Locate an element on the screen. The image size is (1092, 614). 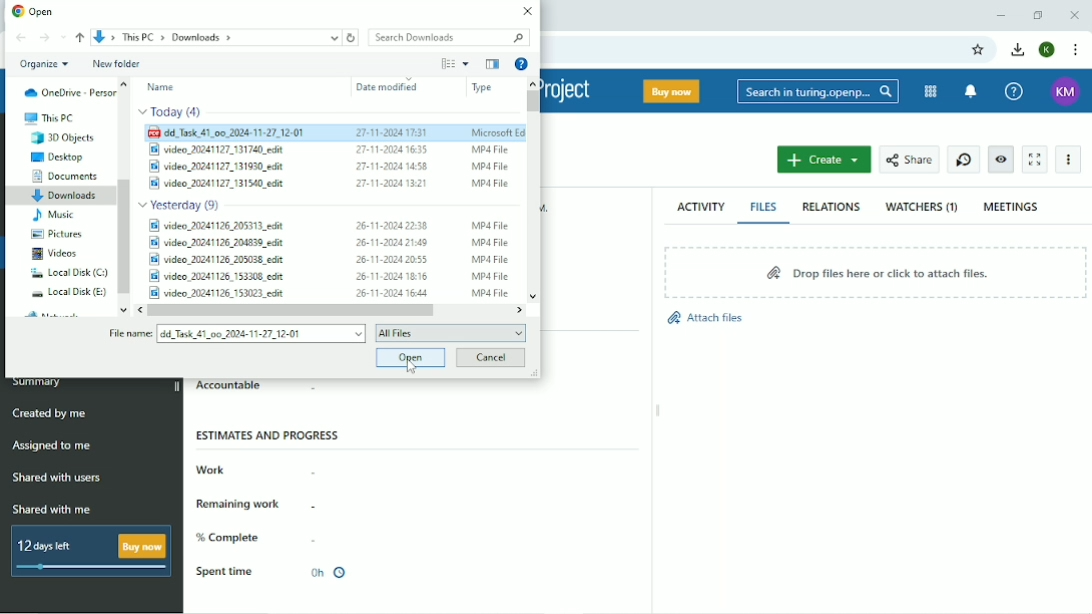
Accountable is located at coordinates (229, 387).